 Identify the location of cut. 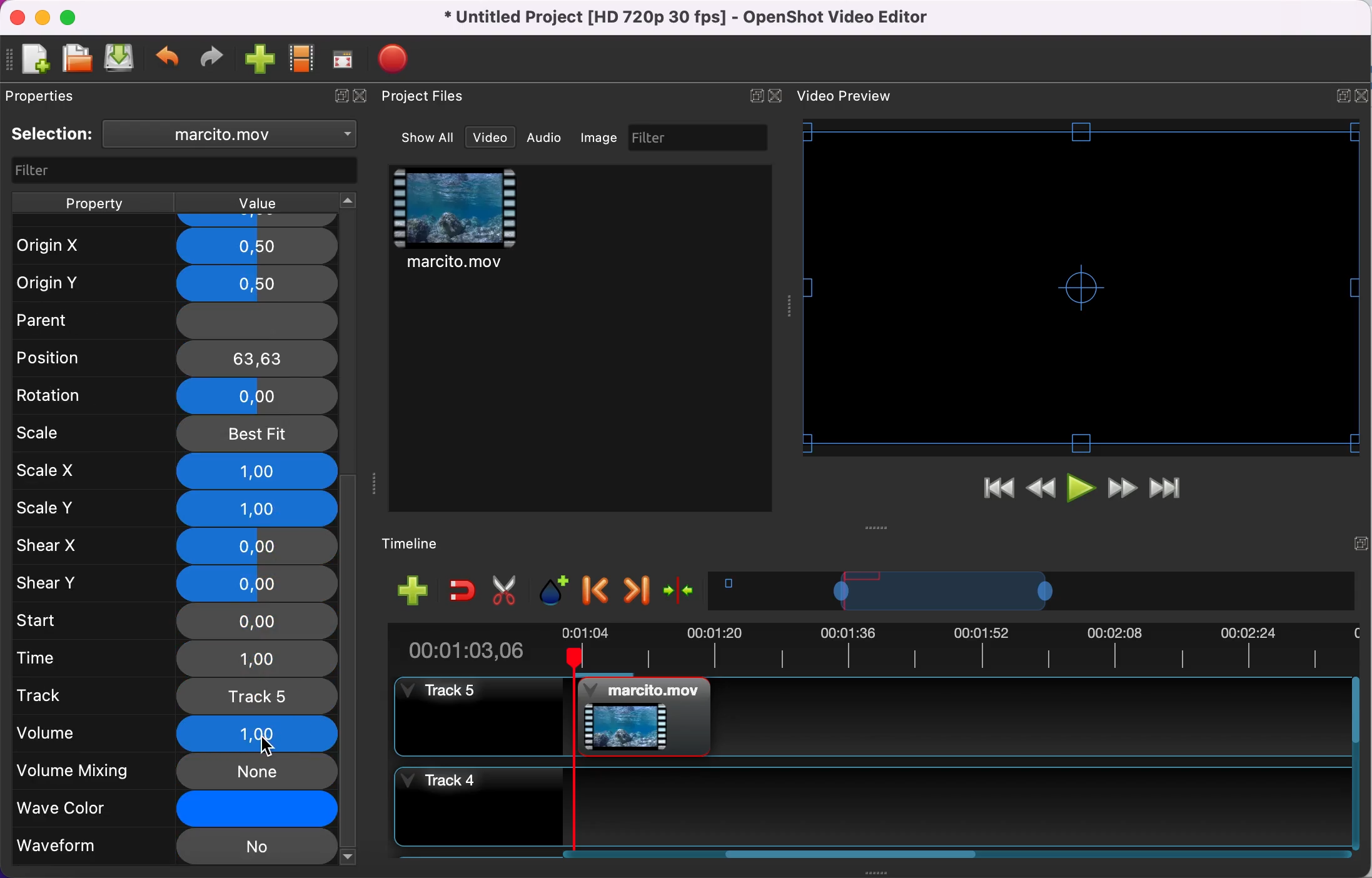
(505, 591).